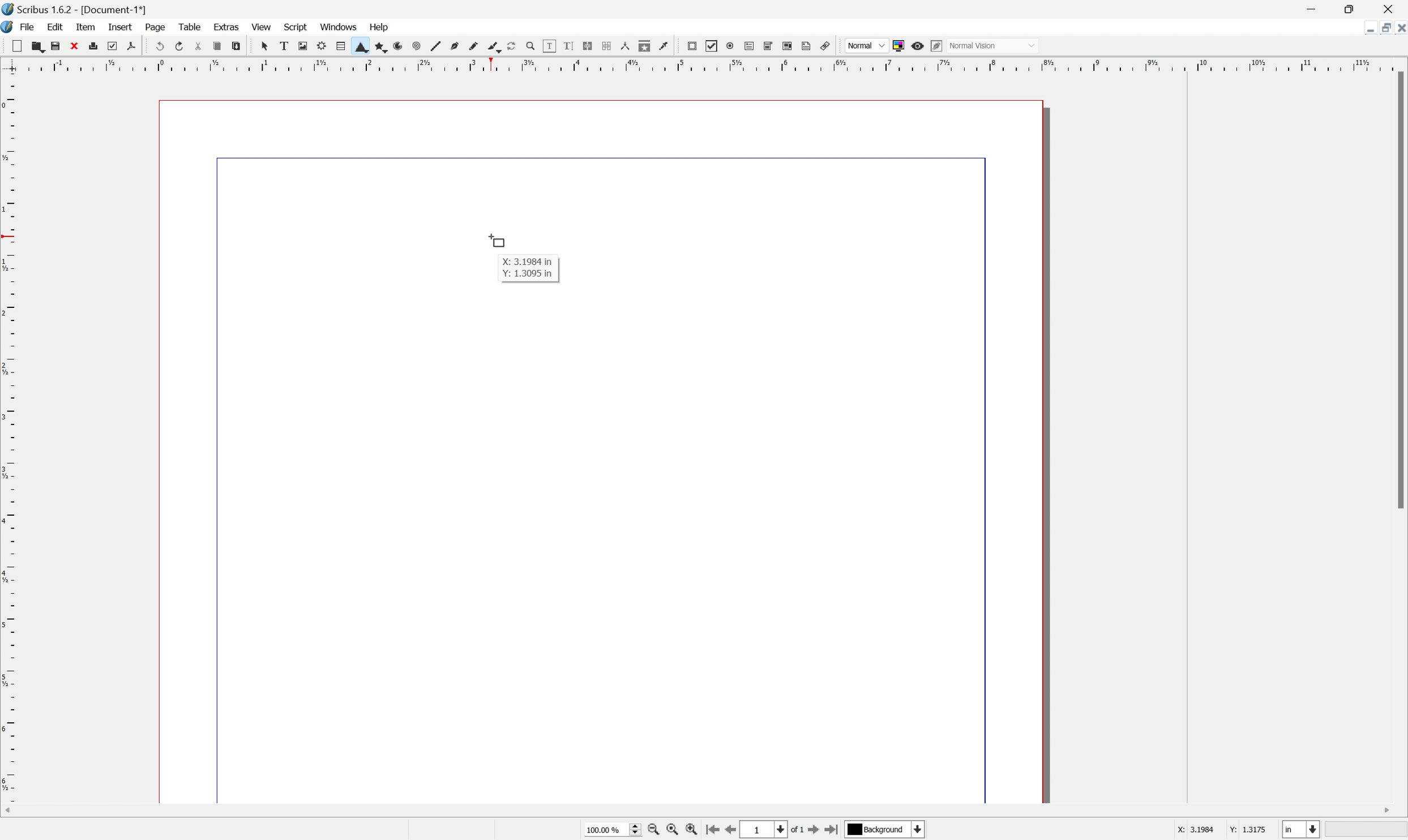 This screenshot has height=840, width=1408. I want to click on Preflight verifier, so click(112, 46).